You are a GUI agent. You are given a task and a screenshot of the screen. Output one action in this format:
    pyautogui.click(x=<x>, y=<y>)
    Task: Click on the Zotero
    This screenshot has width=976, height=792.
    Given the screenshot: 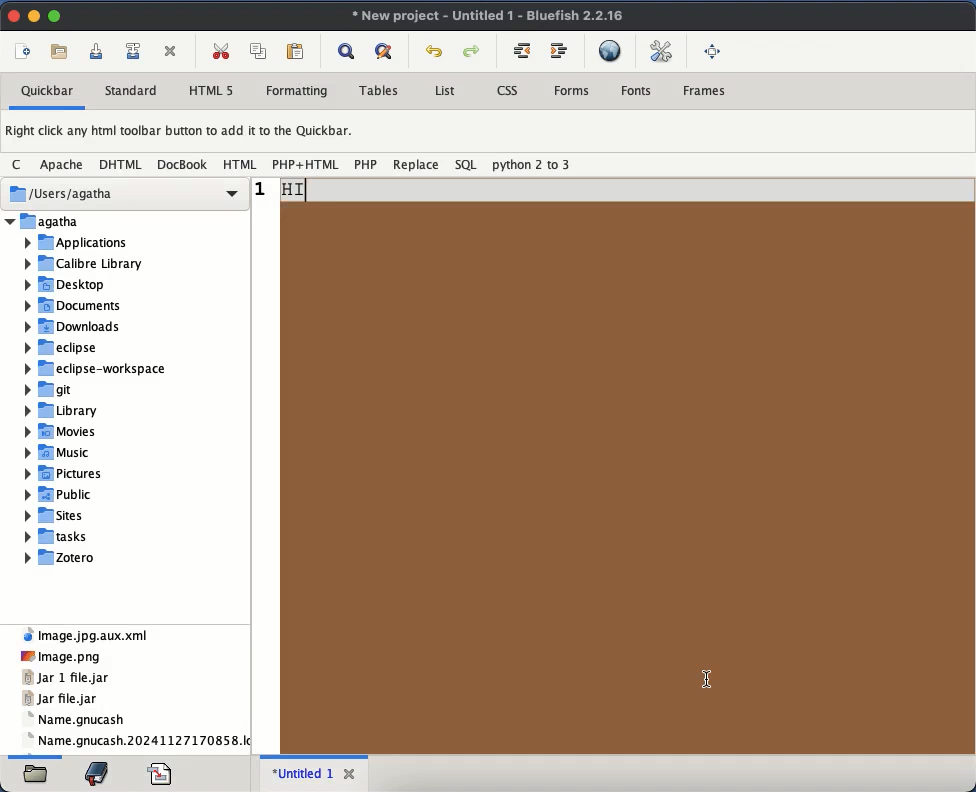 What is the action you would take?
    pyautogui.click(x=61, y=557)
    